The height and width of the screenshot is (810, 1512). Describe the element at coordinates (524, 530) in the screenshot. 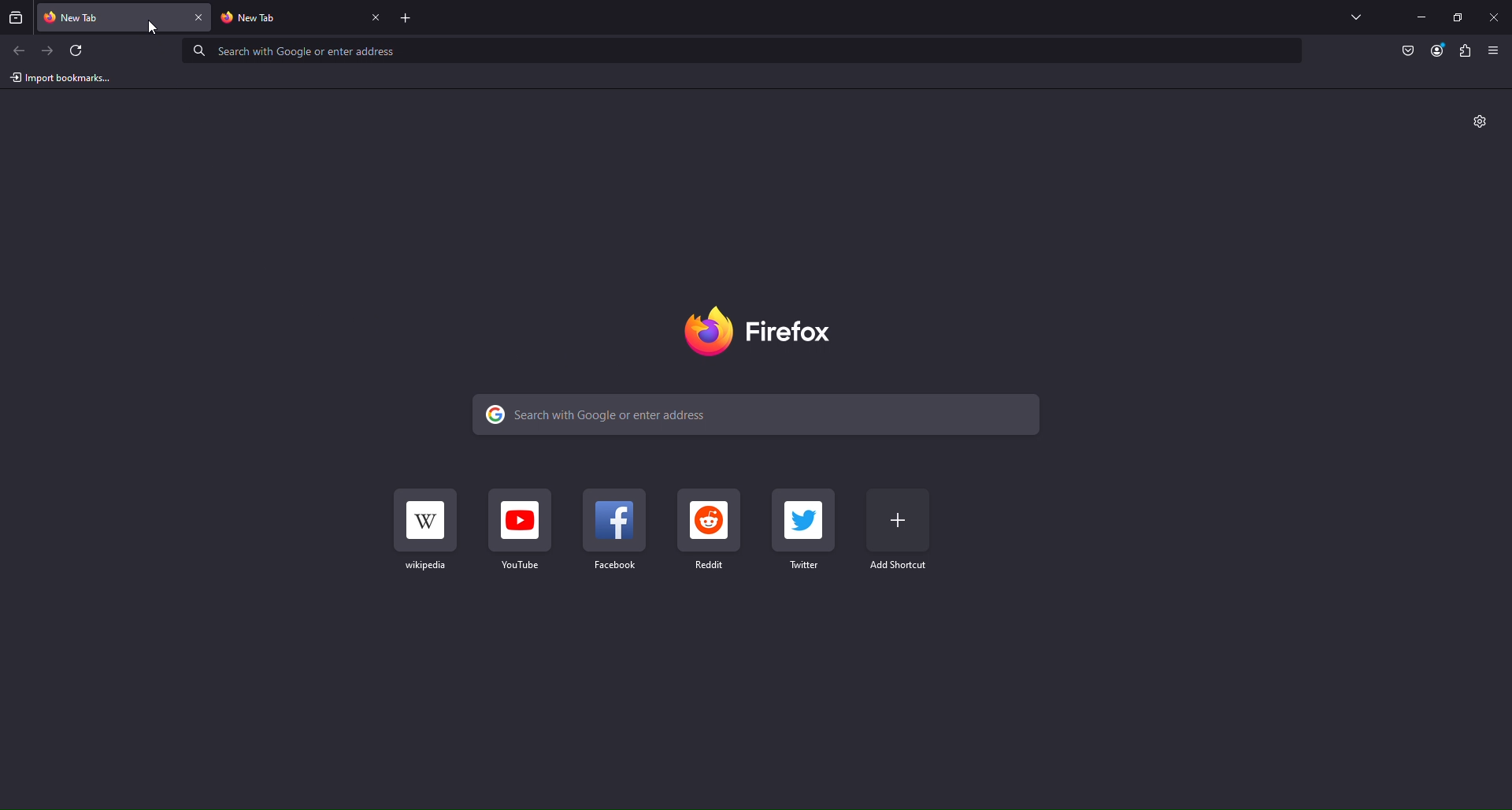

I see `Youtube Shortcut` at that location.